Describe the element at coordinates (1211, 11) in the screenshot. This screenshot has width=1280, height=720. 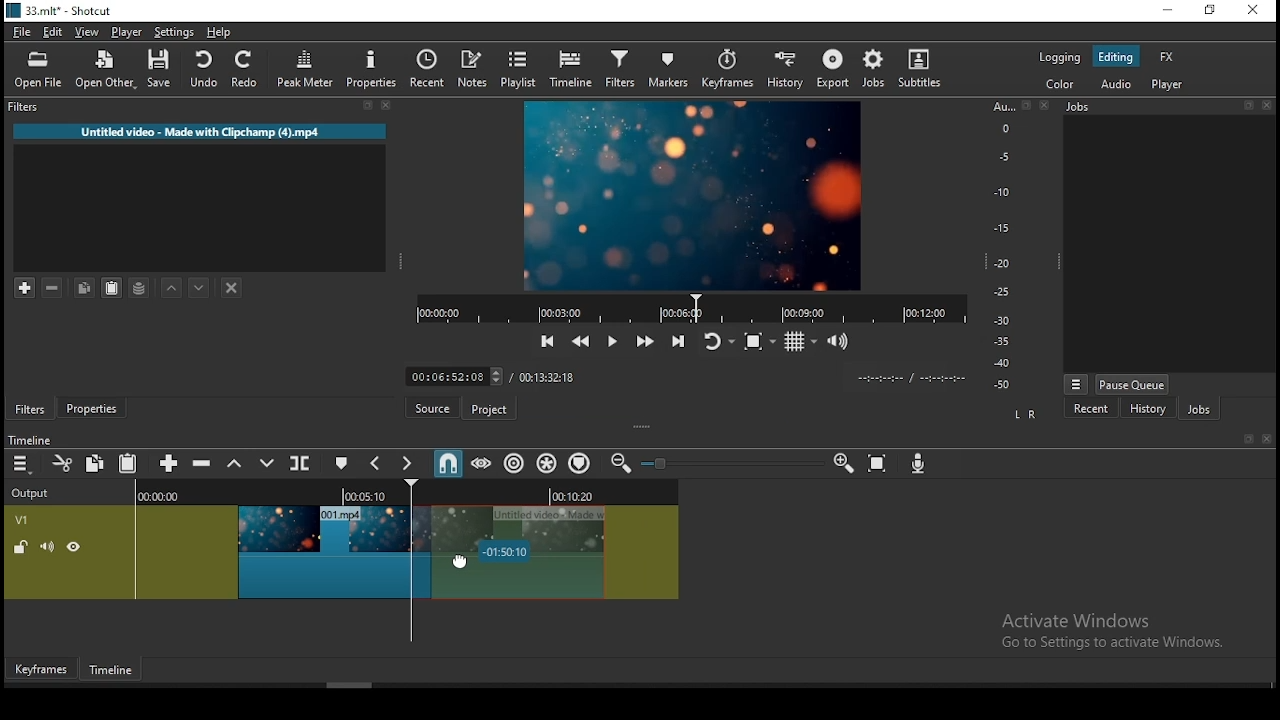
I see `maximise` at that location.